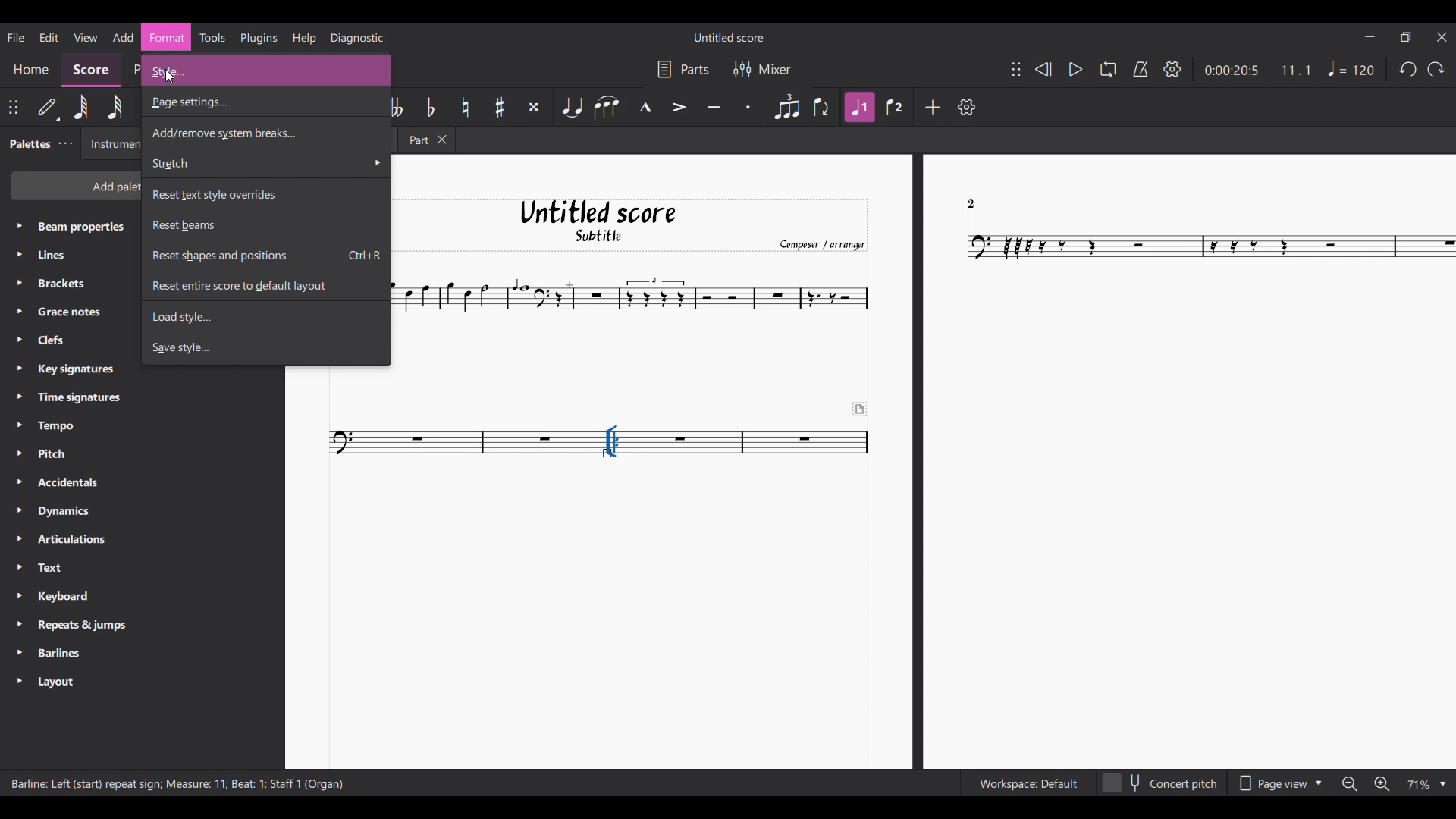 This screenshot has height=819, width=1456. I want to click on 32nd note, so click(115, 108).